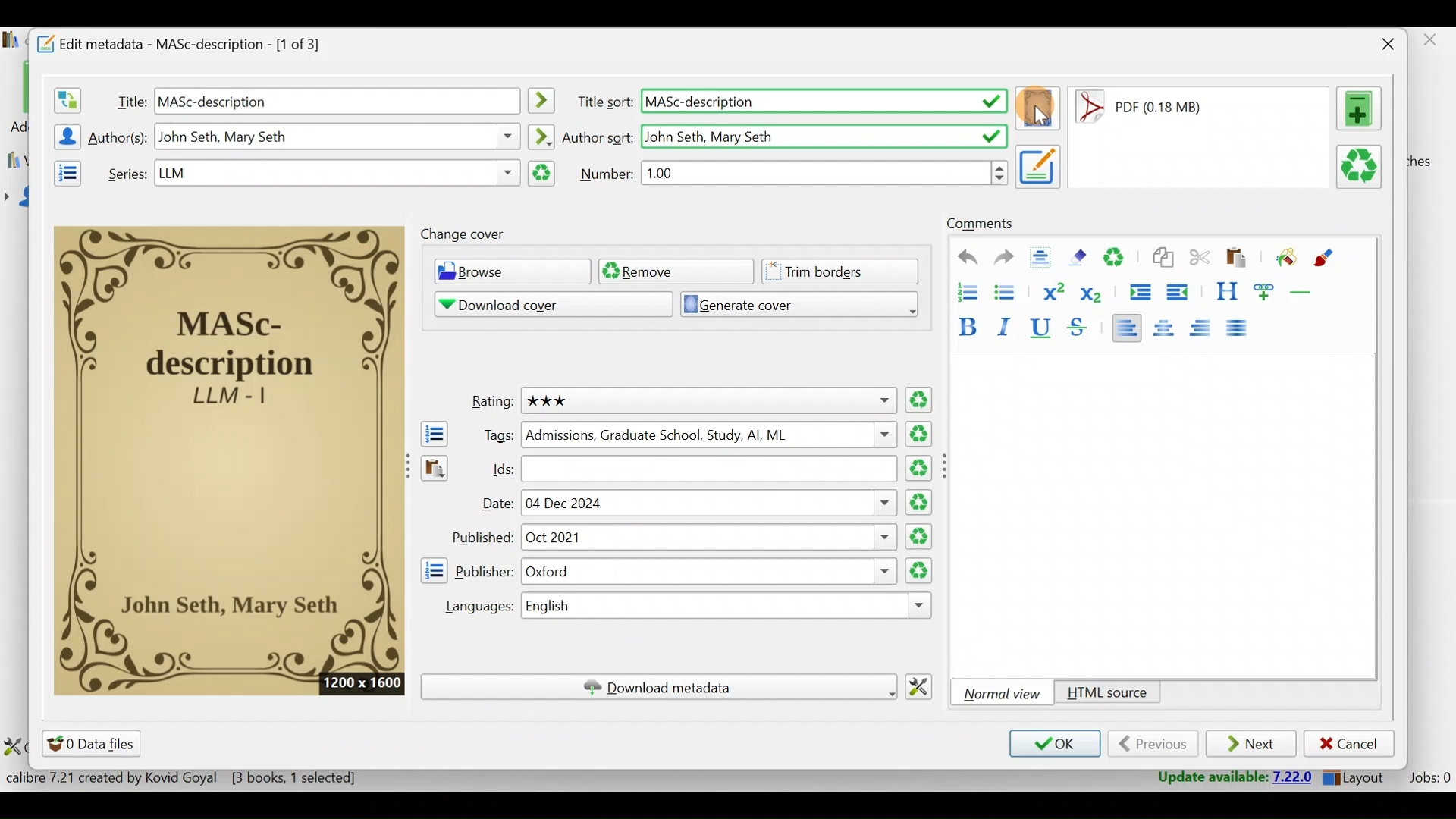 The width and height of the screenshot is (1456, 819). Describe the element at coordinates (1239, 259) in the screenshot. I see `Paste` at that location.